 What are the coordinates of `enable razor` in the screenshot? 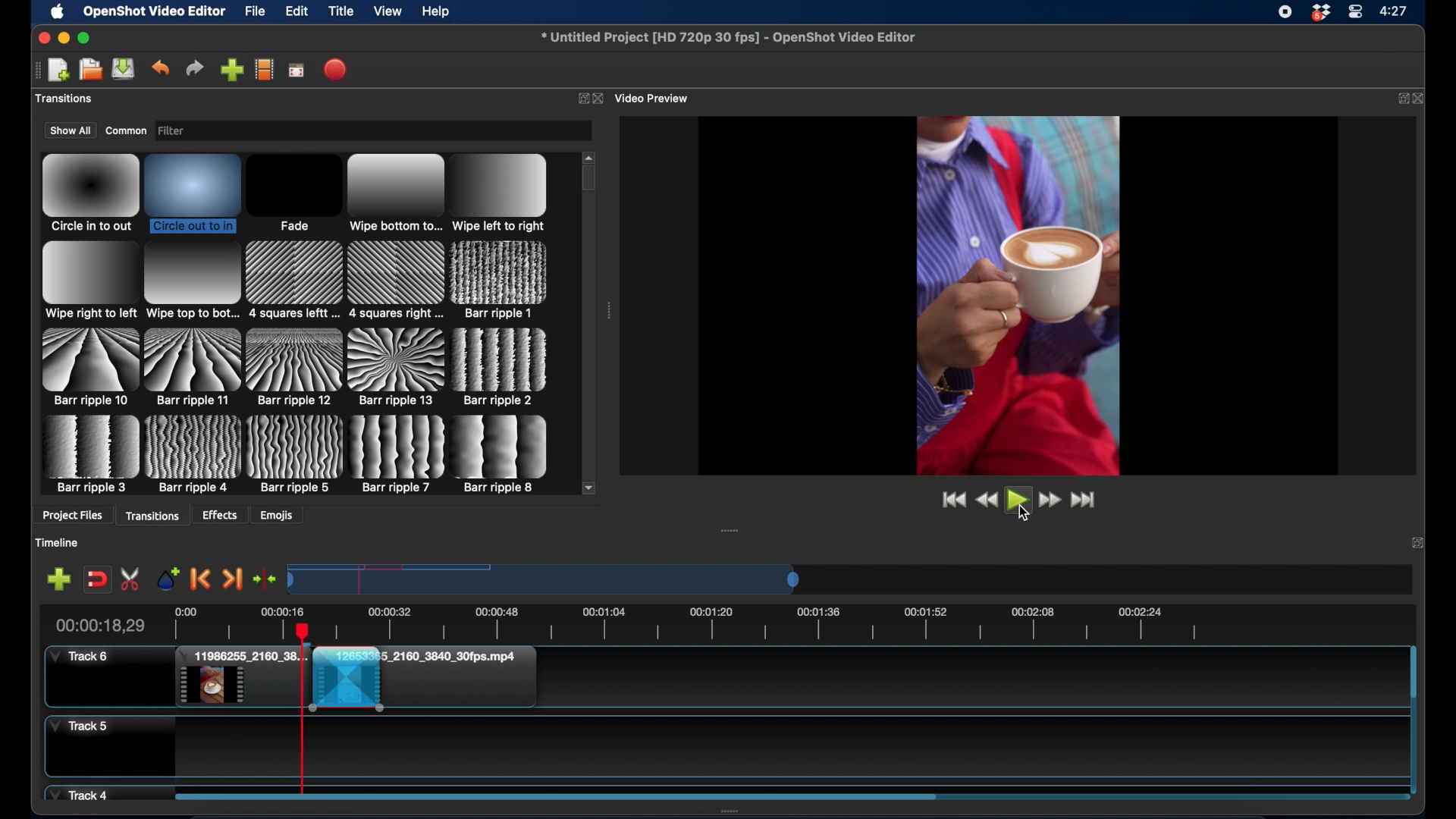 It's located at (132, 579).